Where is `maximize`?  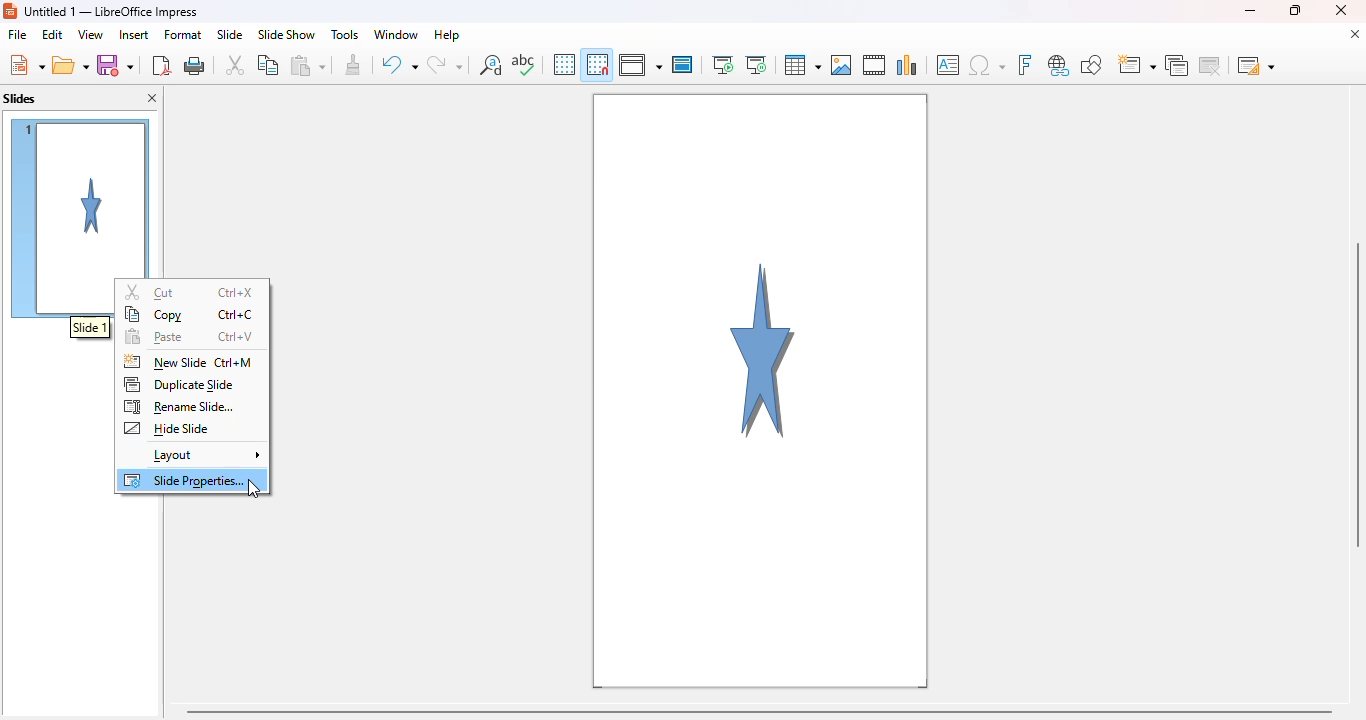 maximize is located at coordinates (1296, 10).